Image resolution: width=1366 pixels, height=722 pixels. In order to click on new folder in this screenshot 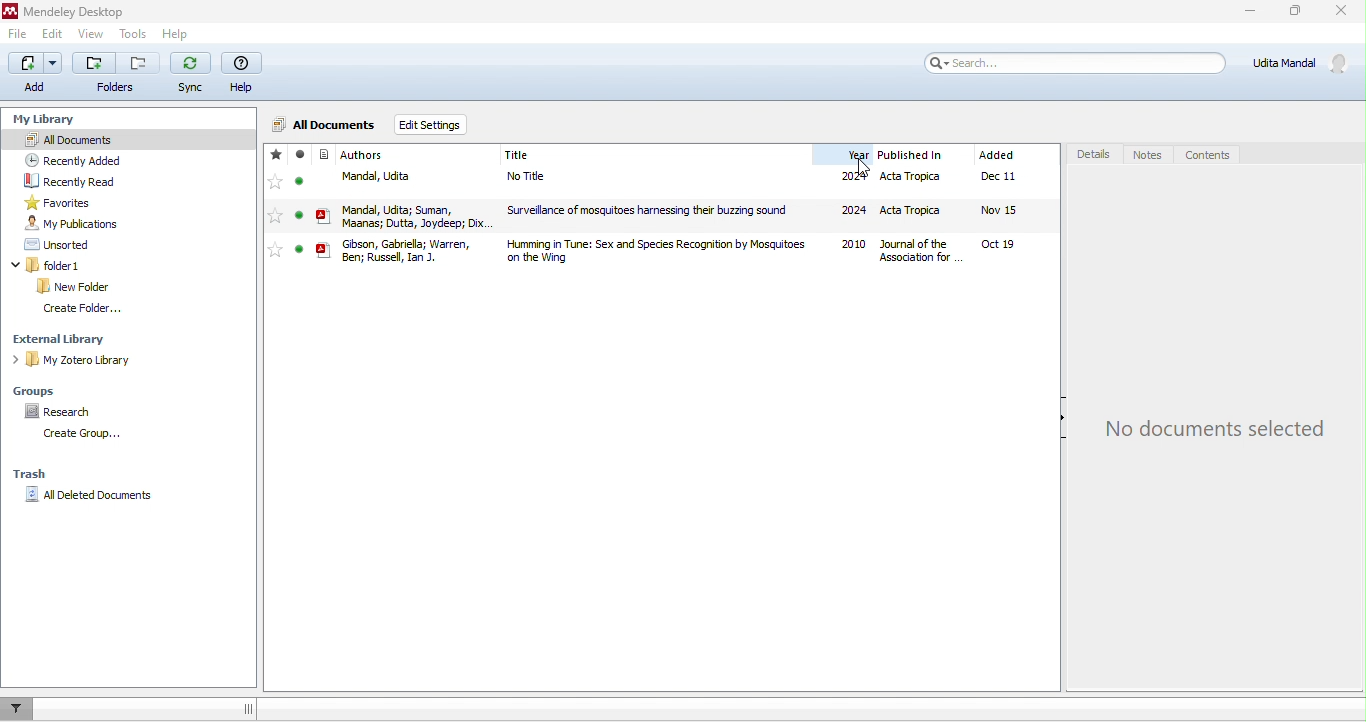, I will do `click(75, 287)`.